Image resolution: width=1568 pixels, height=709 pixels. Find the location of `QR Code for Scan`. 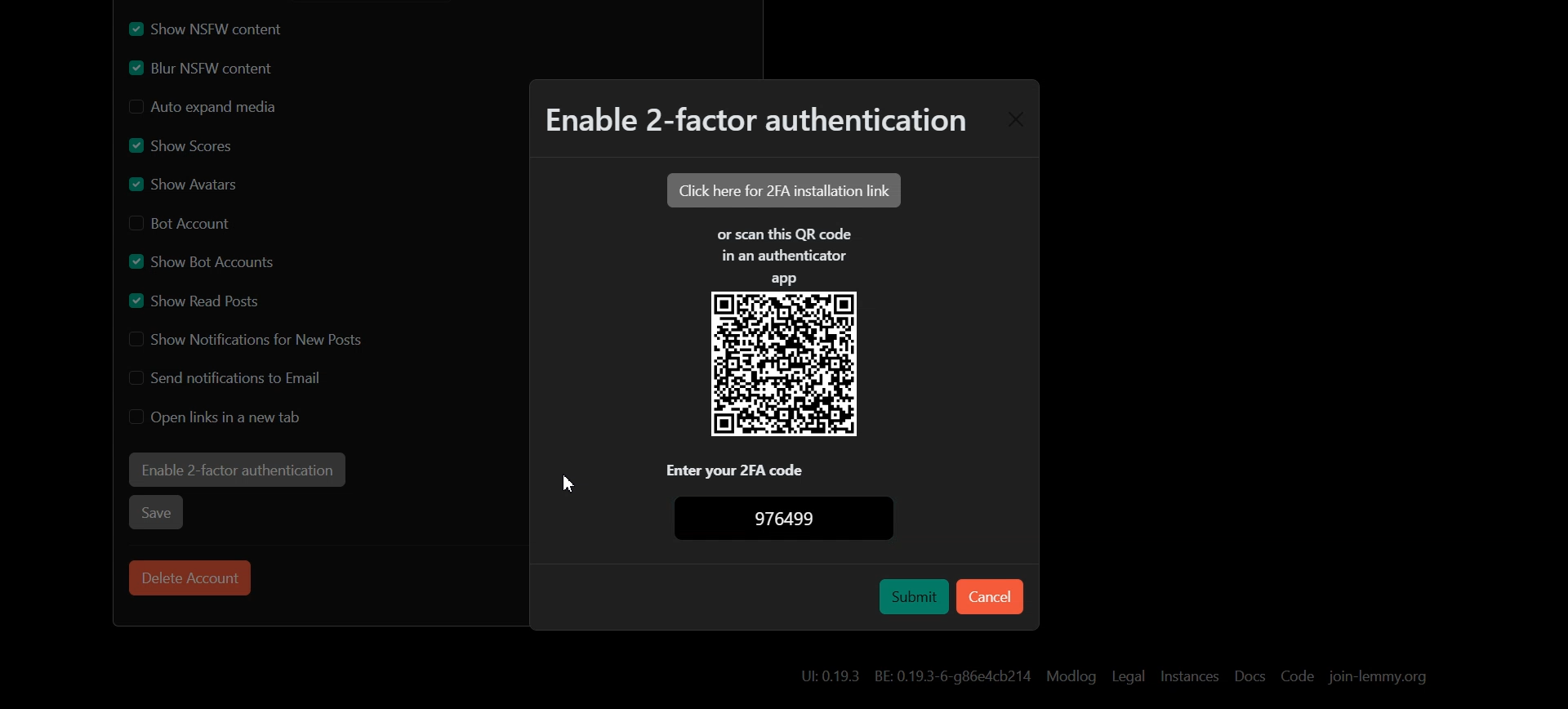

QR Code for Scan is located at coordinates (784, 365).